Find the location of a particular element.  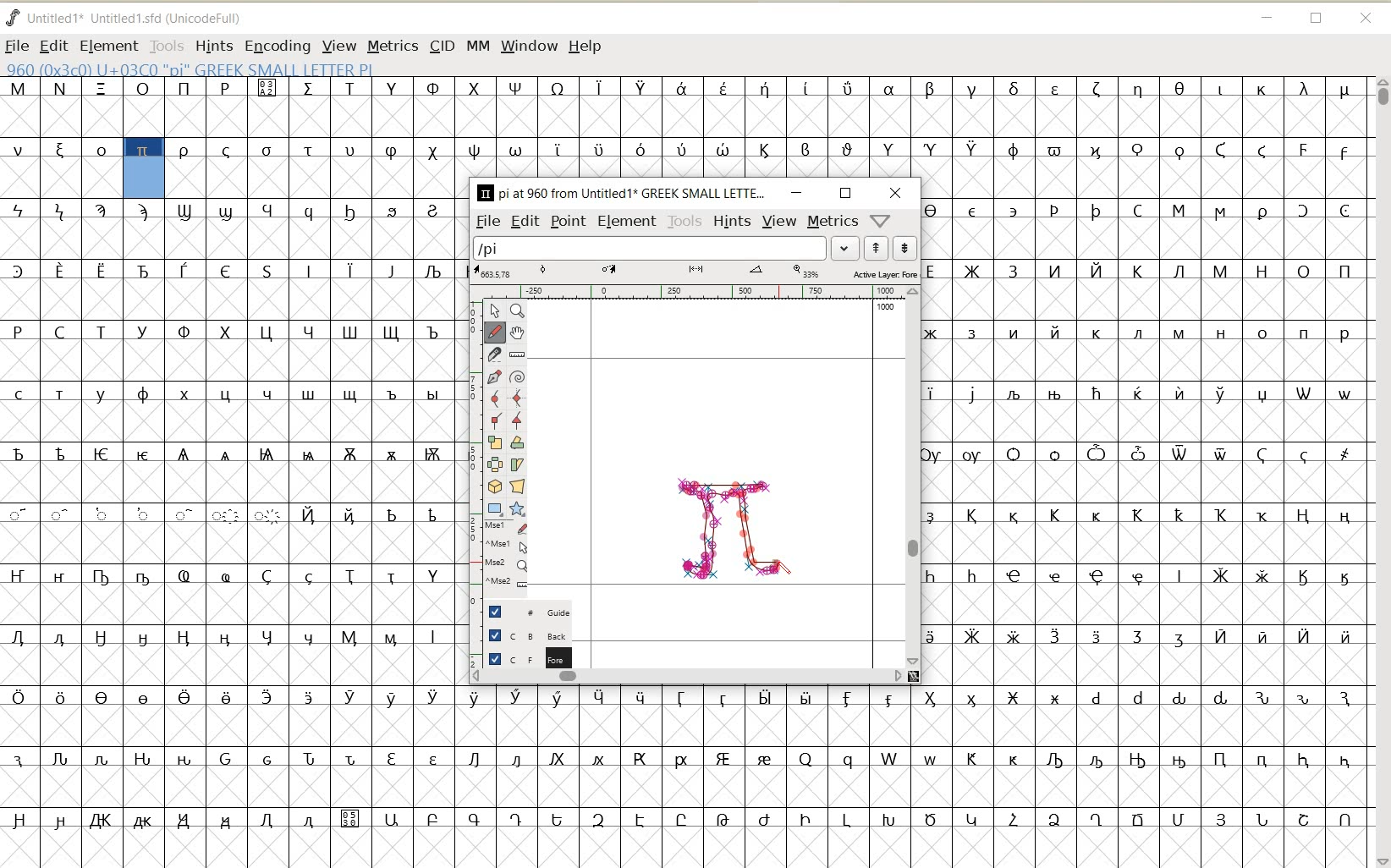

TOOLS is located at coordinates (168, 45).